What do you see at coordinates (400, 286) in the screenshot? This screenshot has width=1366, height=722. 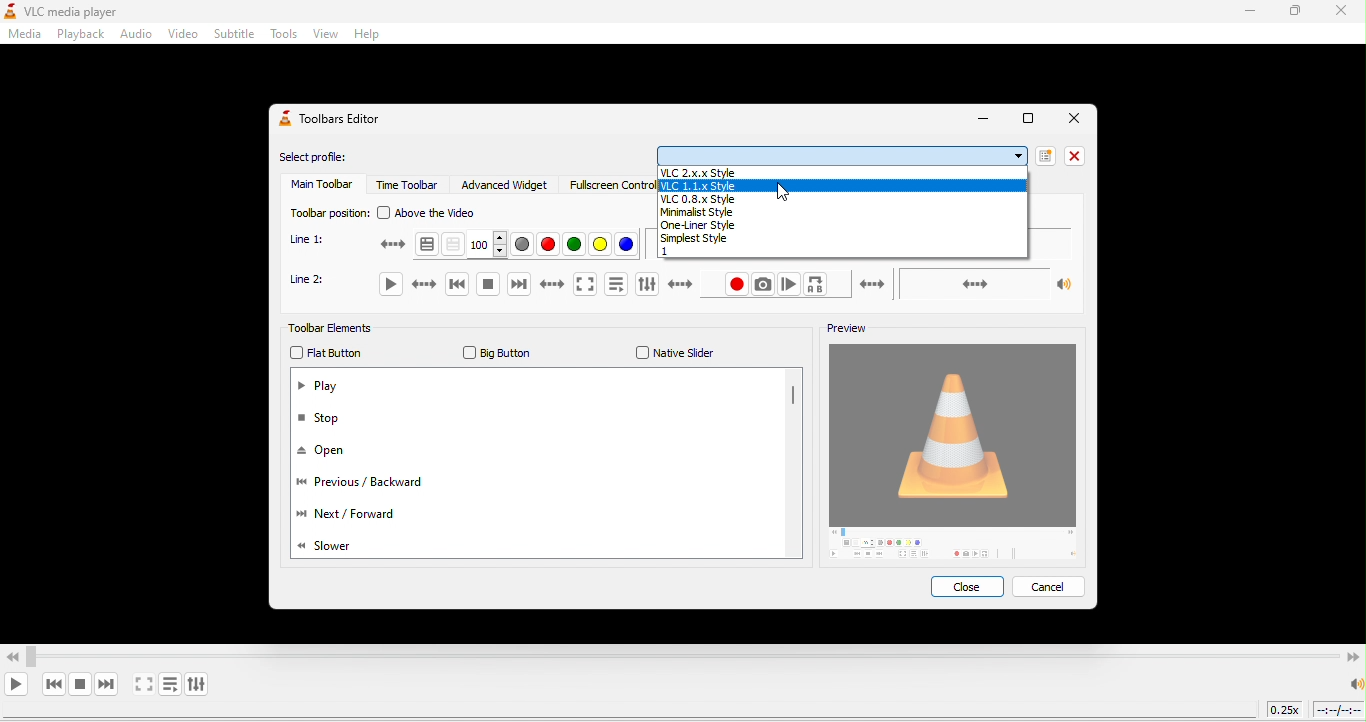 I see `play` at bounding box center [400, 286].